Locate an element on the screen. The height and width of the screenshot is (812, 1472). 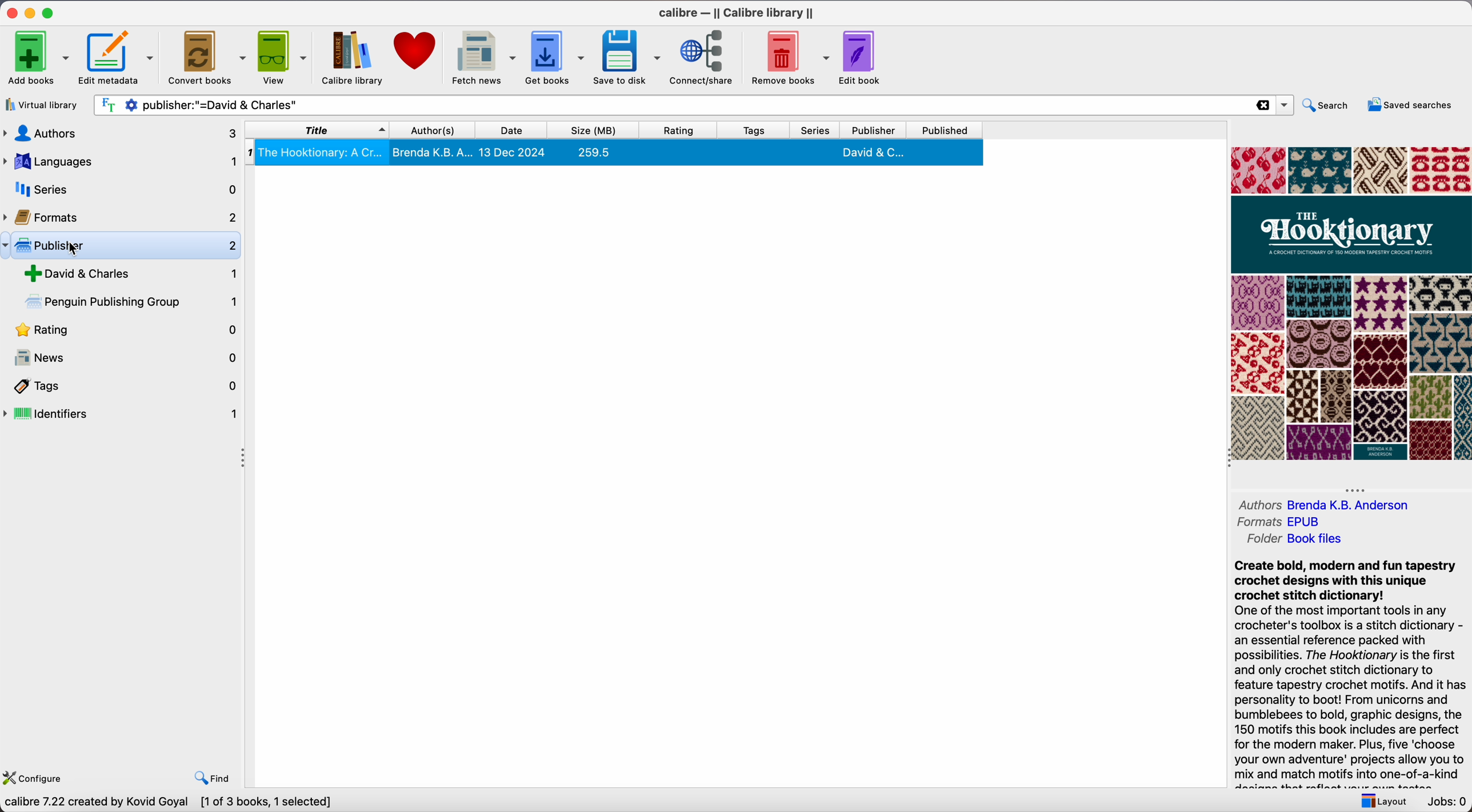
search bar is located at coordinates (692, 105).